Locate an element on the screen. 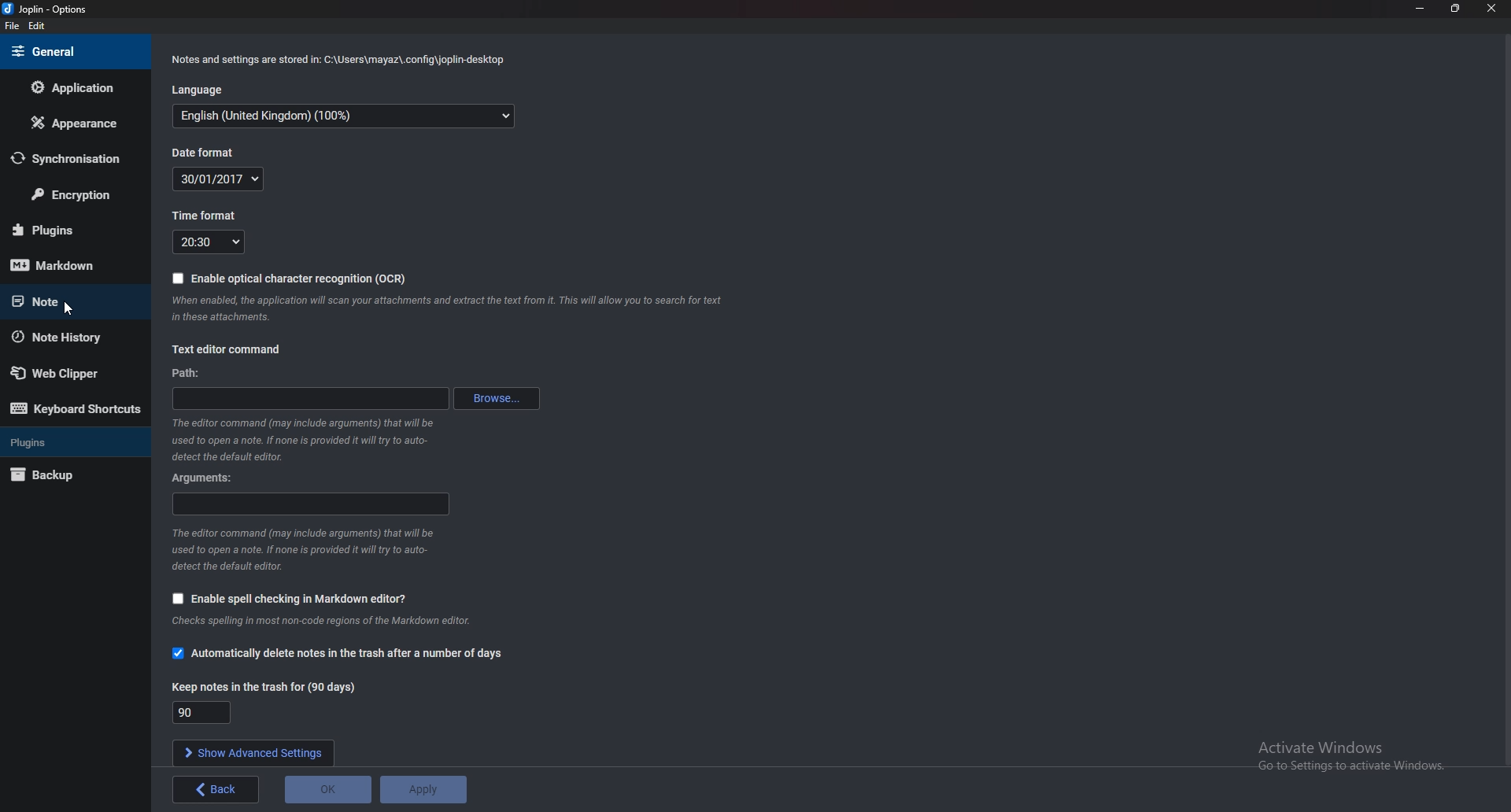 The height and width of the screenshot is (812, 1511). joplin is located at coordinates (47, 10).